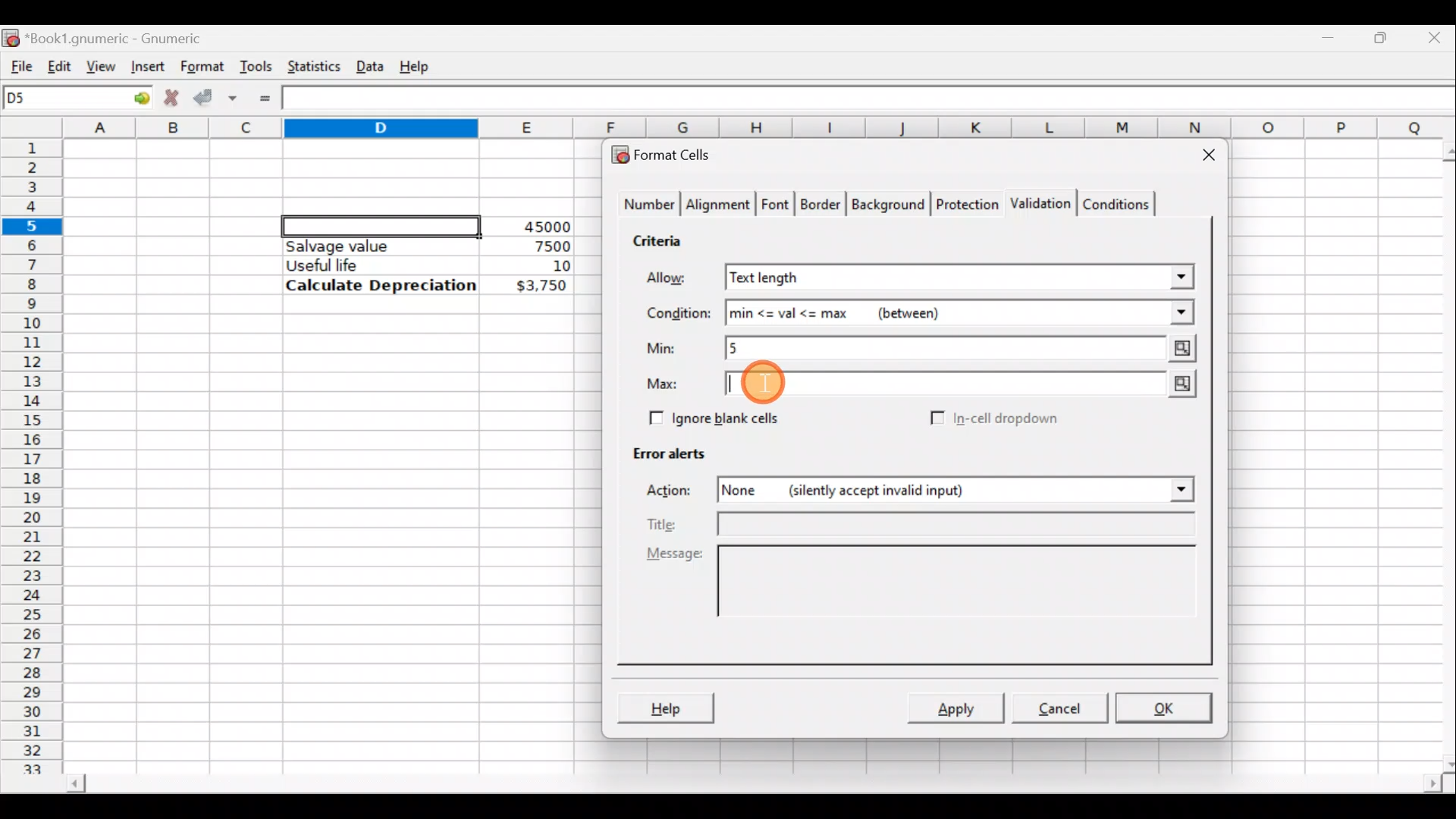 This screenshot has height=819, width=1456. What do you see at coordinates (711, 416) in the screenshot?
I see `Ignore blank cells` at bounding box center [711, 416].